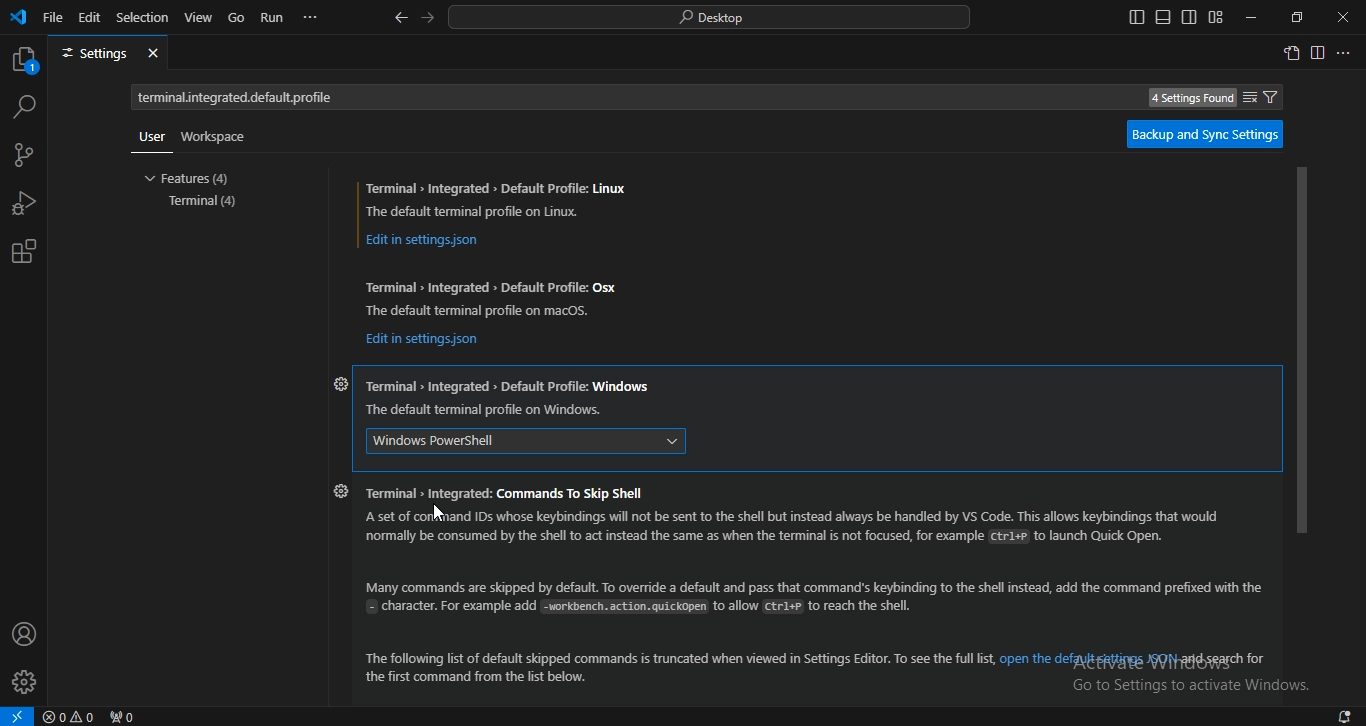  Describe the element at coordinates (24, 61) in the screenshot. I see `explorer` at that location.